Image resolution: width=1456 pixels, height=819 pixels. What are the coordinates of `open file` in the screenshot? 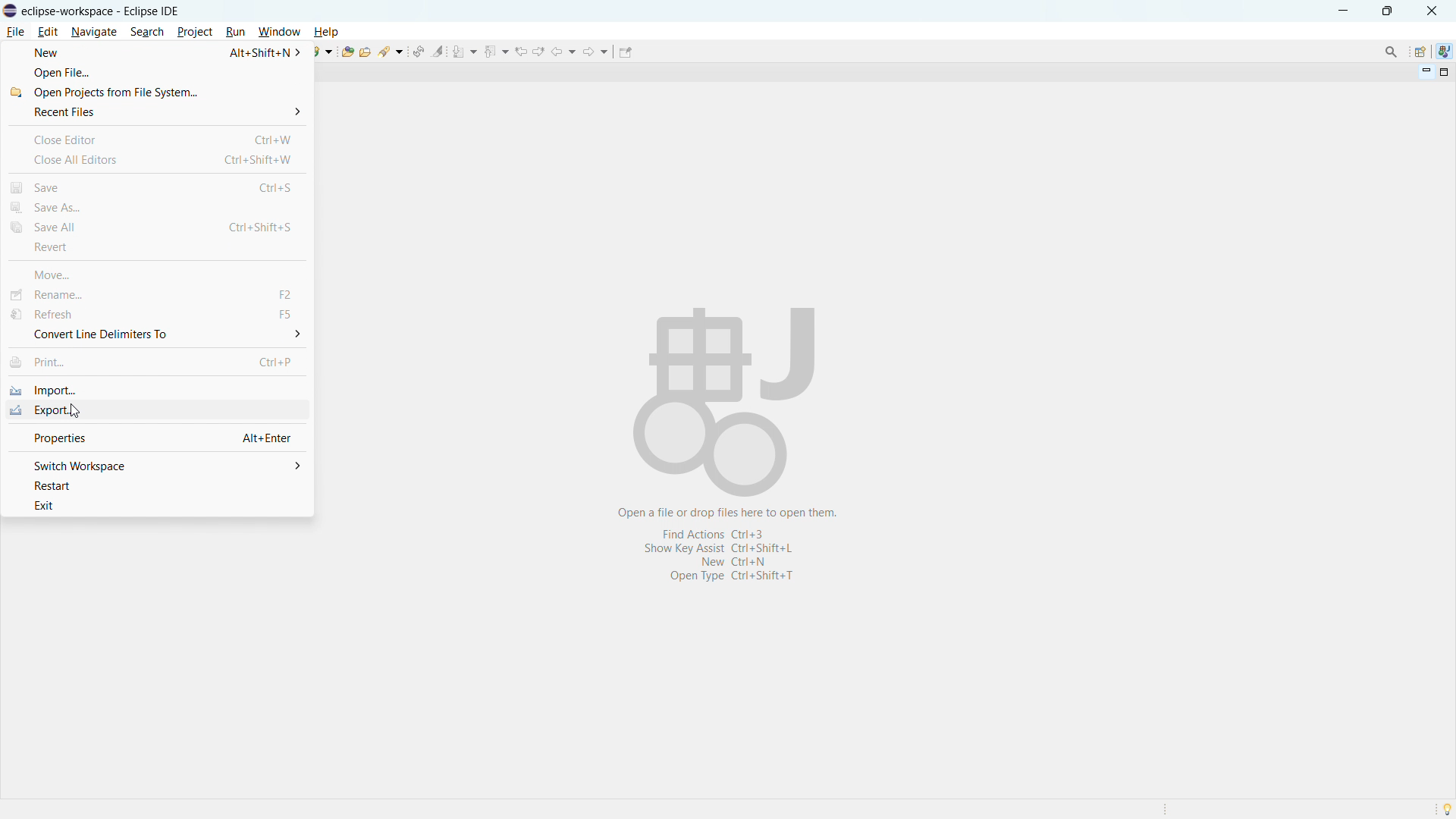 It's located at (158, 72).